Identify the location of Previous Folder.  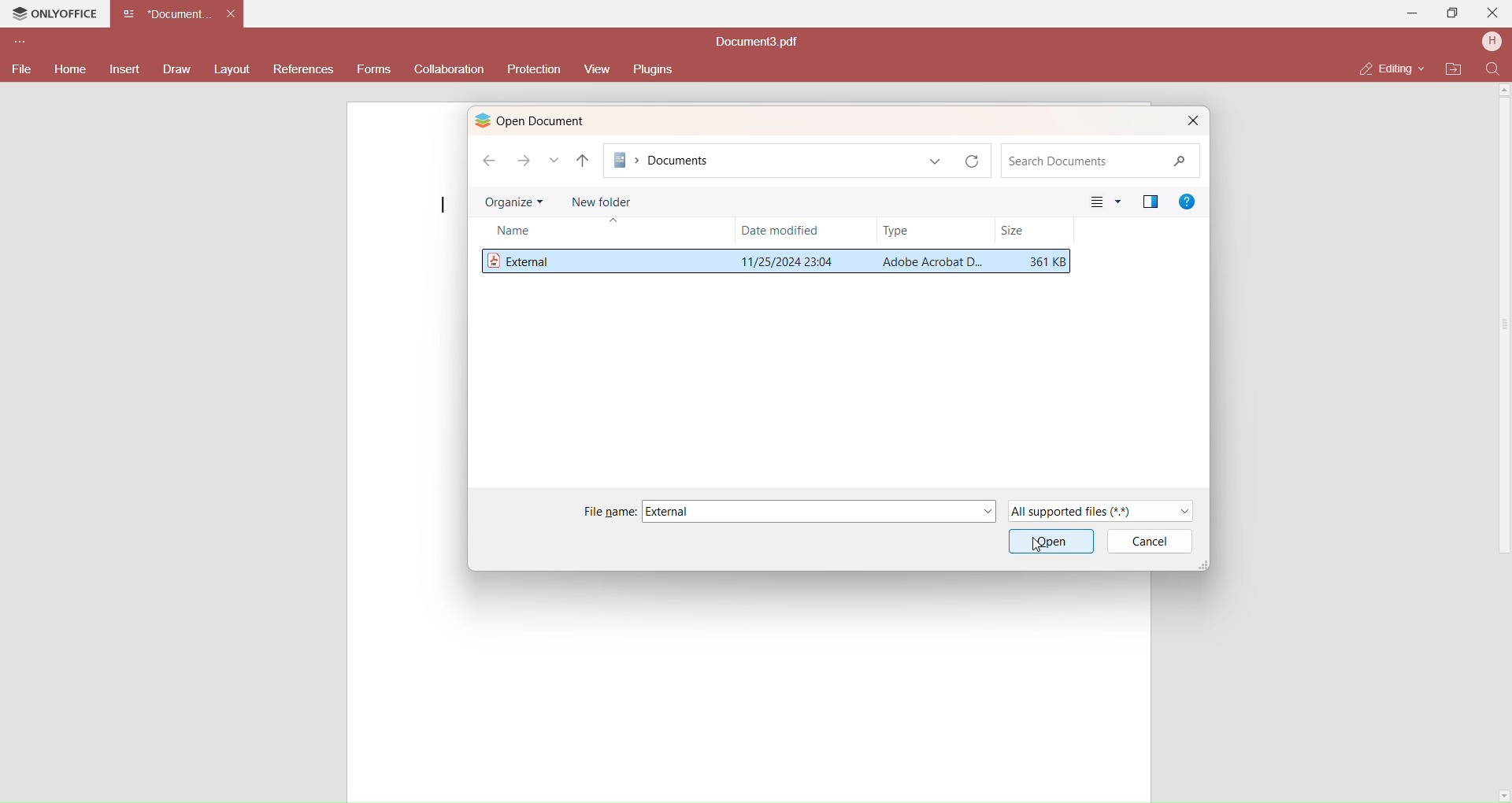
(584, 161).